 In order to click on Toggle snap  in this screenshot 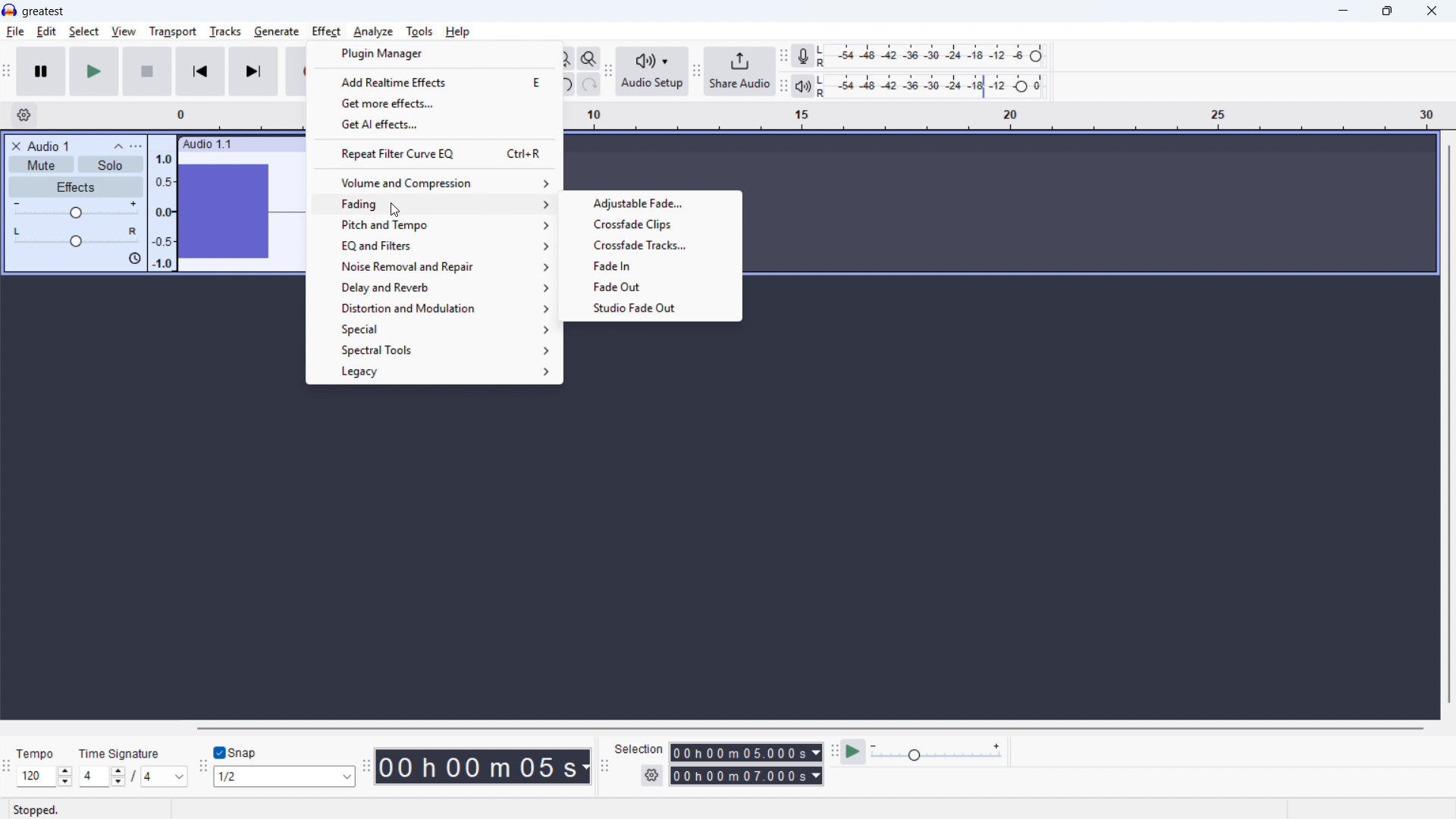, I will do `click(238, 752)`.